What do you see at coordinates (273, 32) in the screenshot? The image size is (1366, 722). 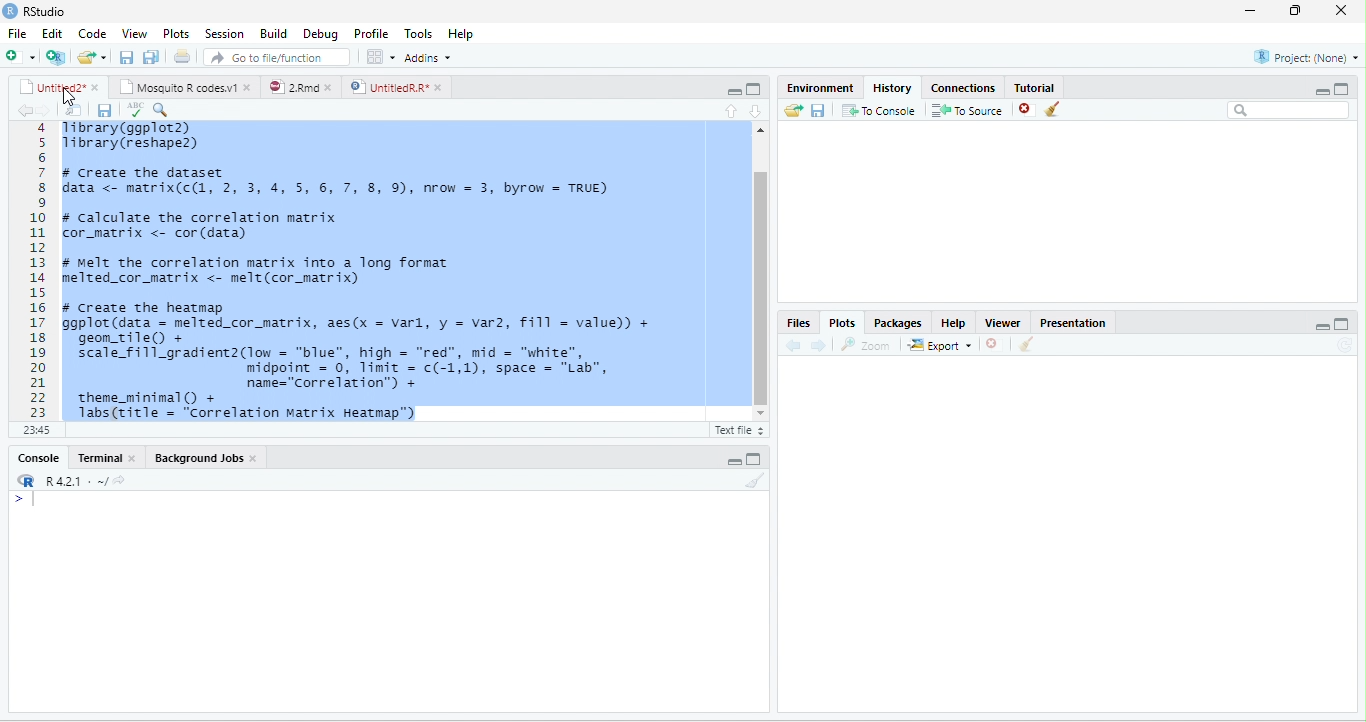 I see `build` at bounding box center [273, 32].